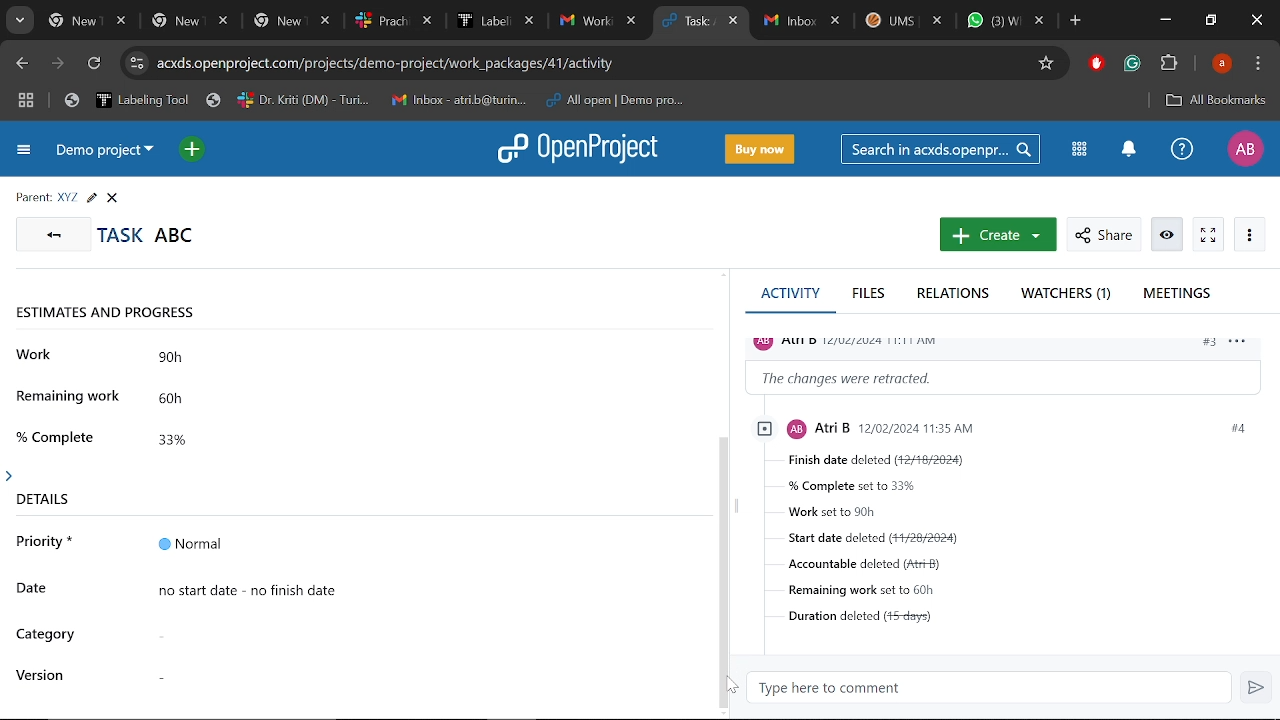 The width and height of the screenshot is (1280, 720). What do you see at coordinates (735, 23) in the screenshot?
I see `Close current tab` at bounding box center [735, 23].